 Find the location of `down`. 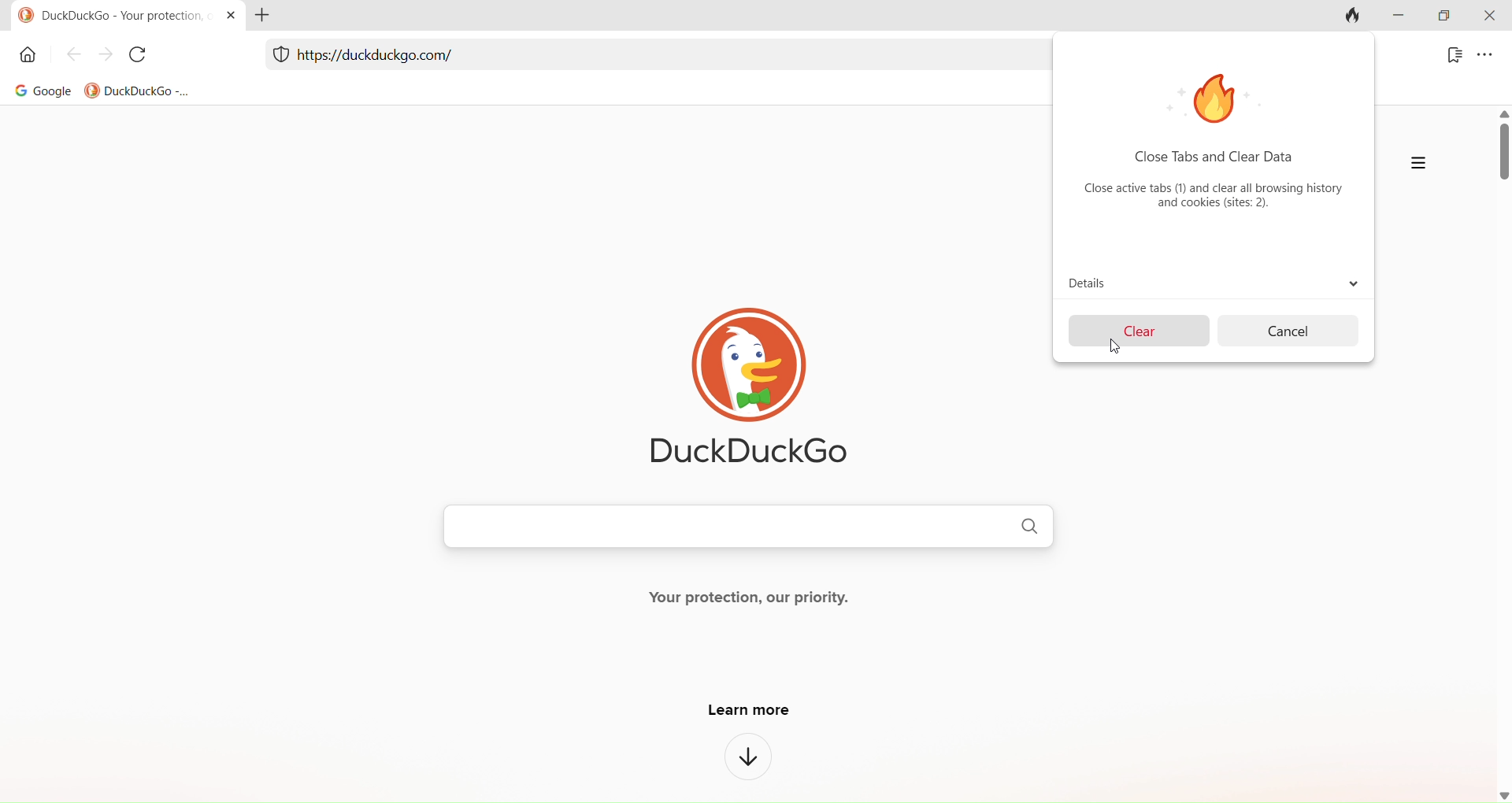

down is located at coordinates (1498, 790).